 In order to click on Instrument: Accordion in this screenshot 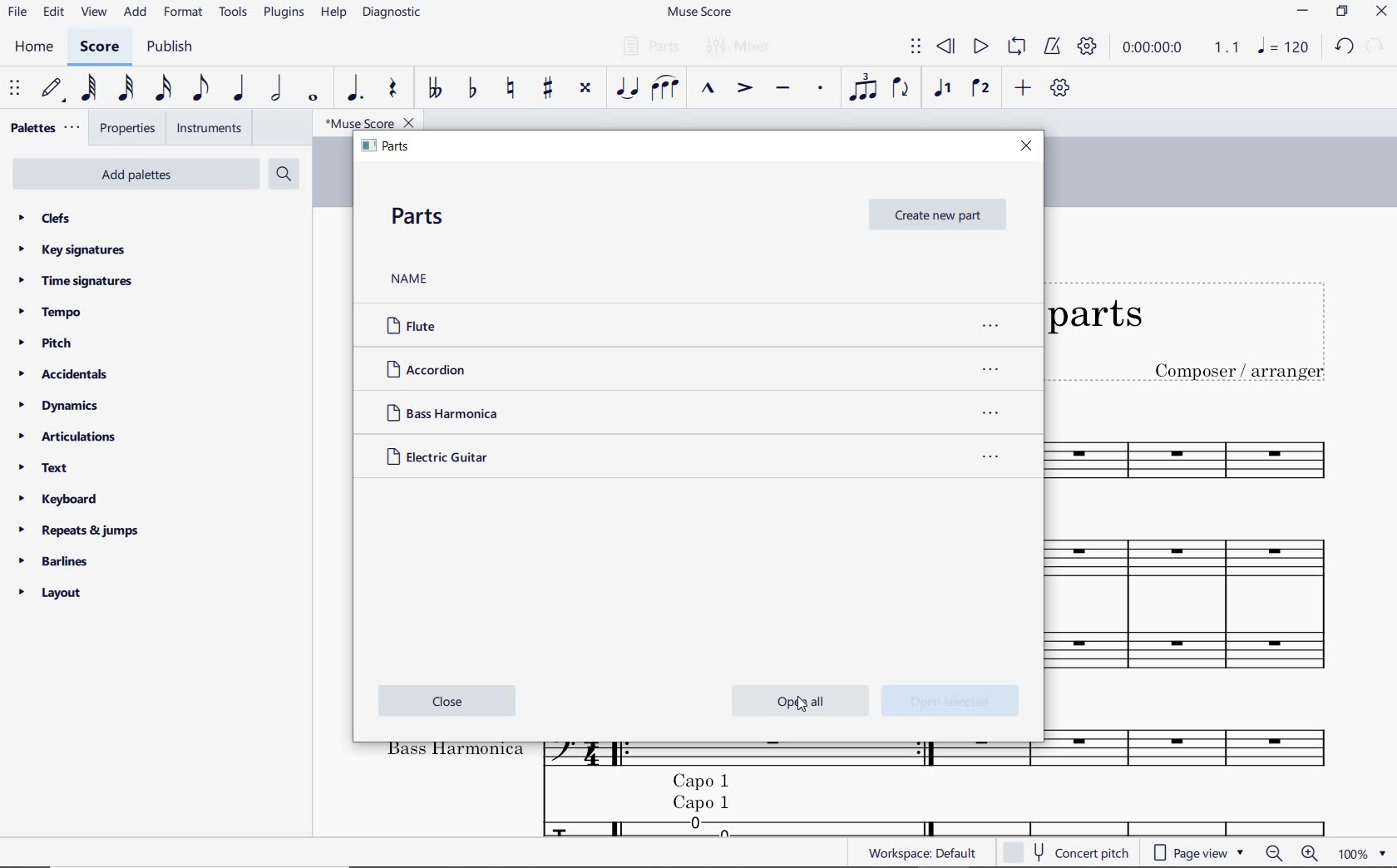, I will do `click(1203, 609)`.